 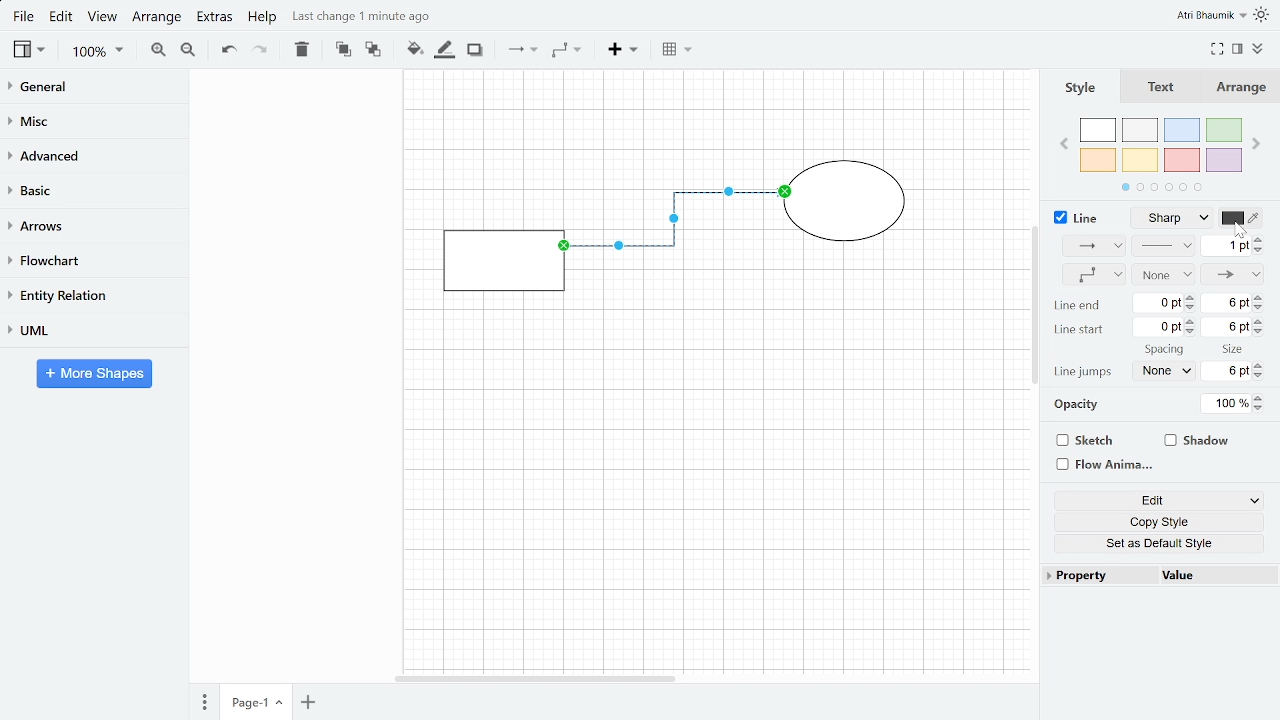 What do you see at coordinates (1098, 131) in the screenshot?
I see `white` at bounding box center [1098, 131].